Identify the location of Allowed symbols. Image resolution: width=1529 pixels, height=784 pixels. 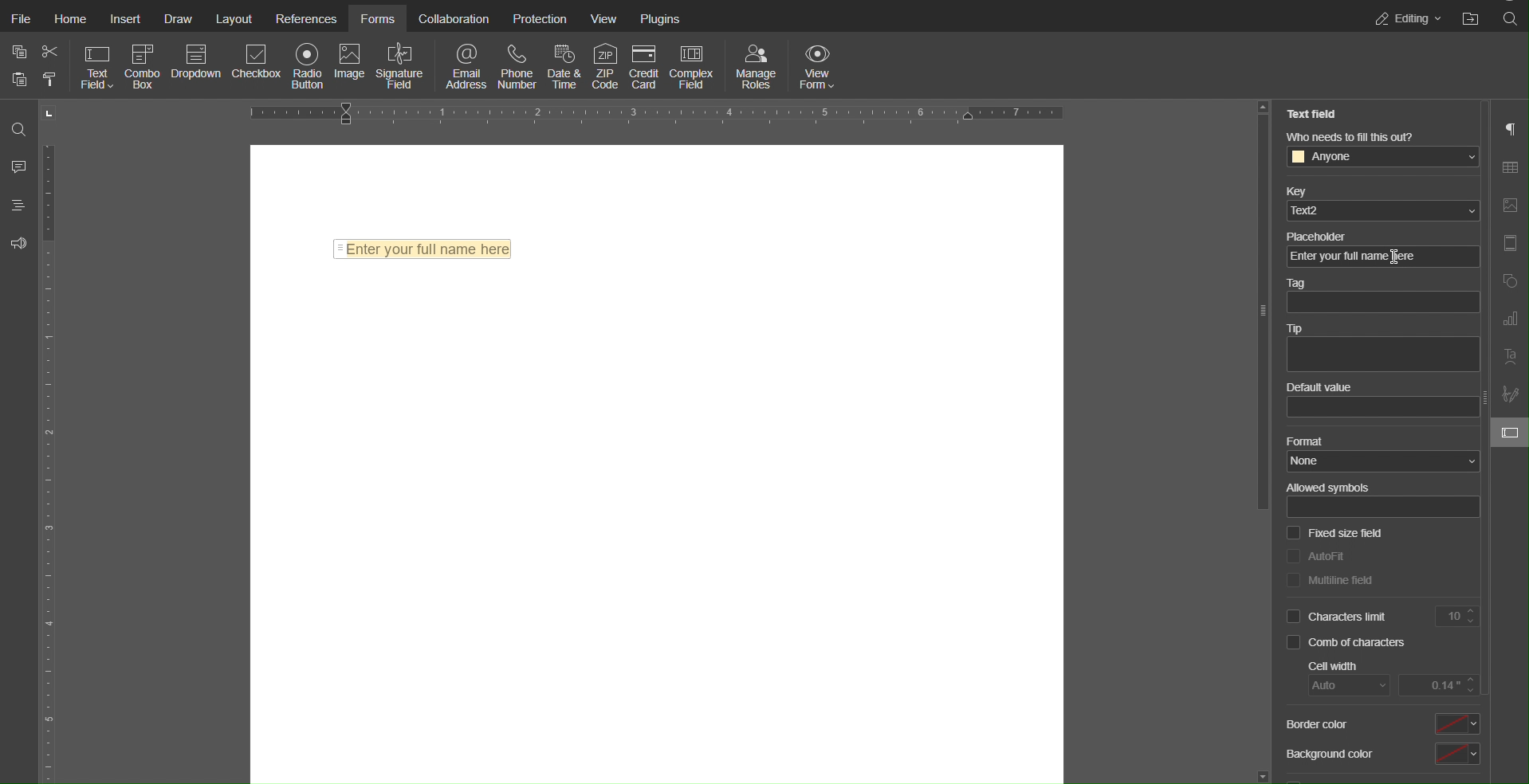
(1384, 500).